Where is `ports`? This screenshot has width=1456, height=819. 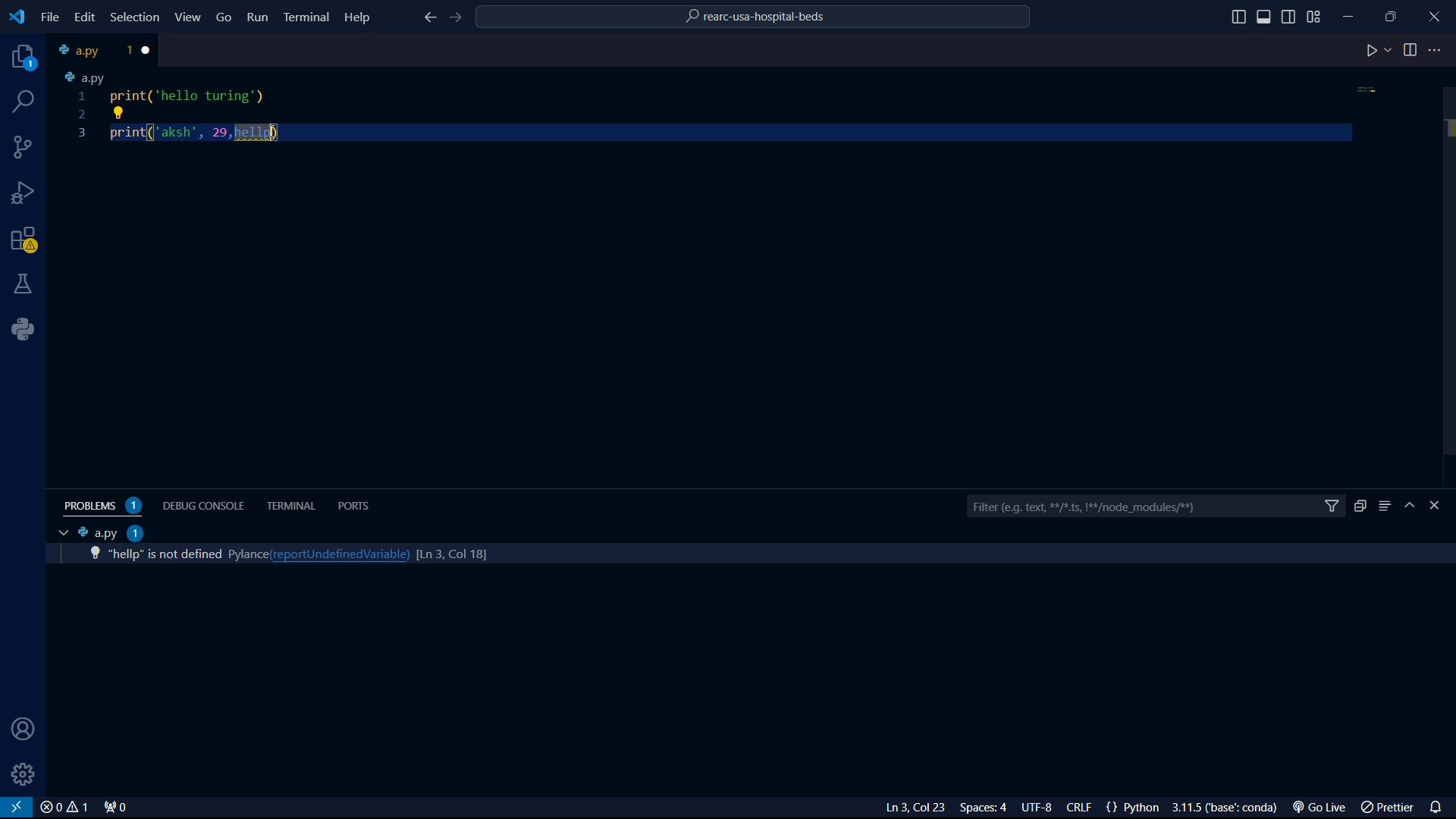 ports is located at coordinates (357, 505).